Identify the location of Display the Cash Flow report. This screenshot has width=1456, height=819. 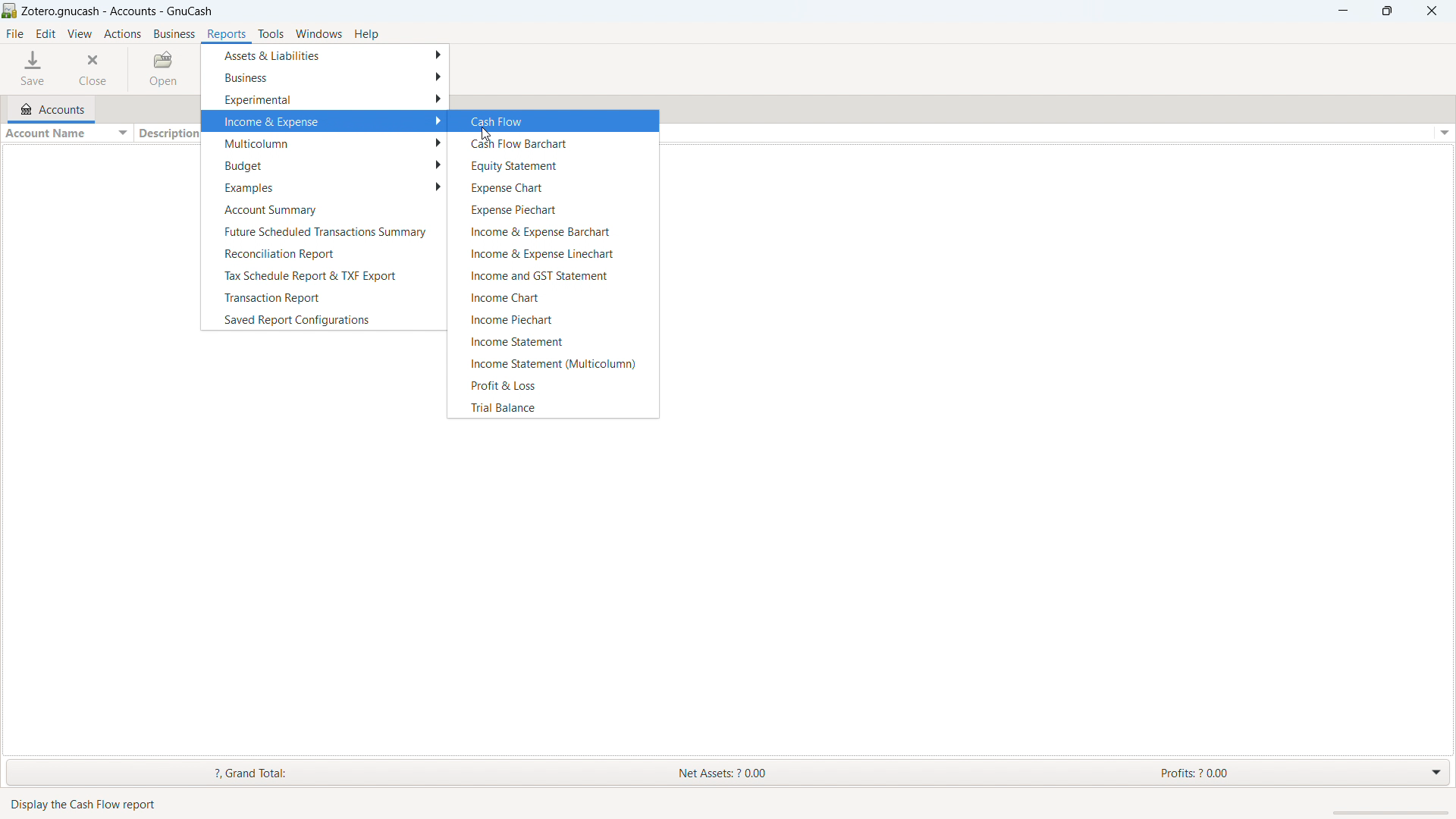
(81, 805).